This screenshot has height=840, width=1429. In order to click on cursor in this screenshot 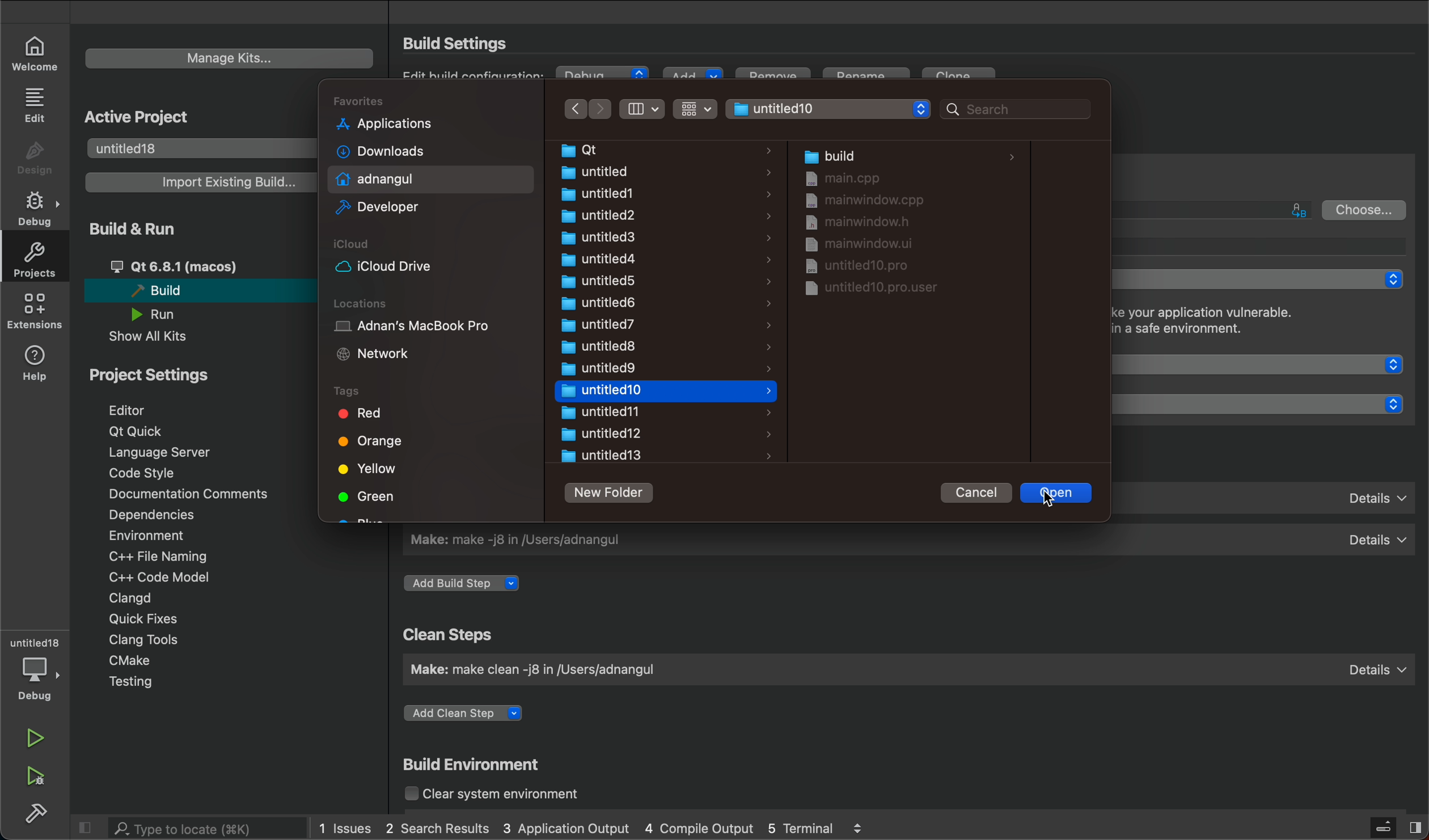, I will do `click(1054, 500)`.